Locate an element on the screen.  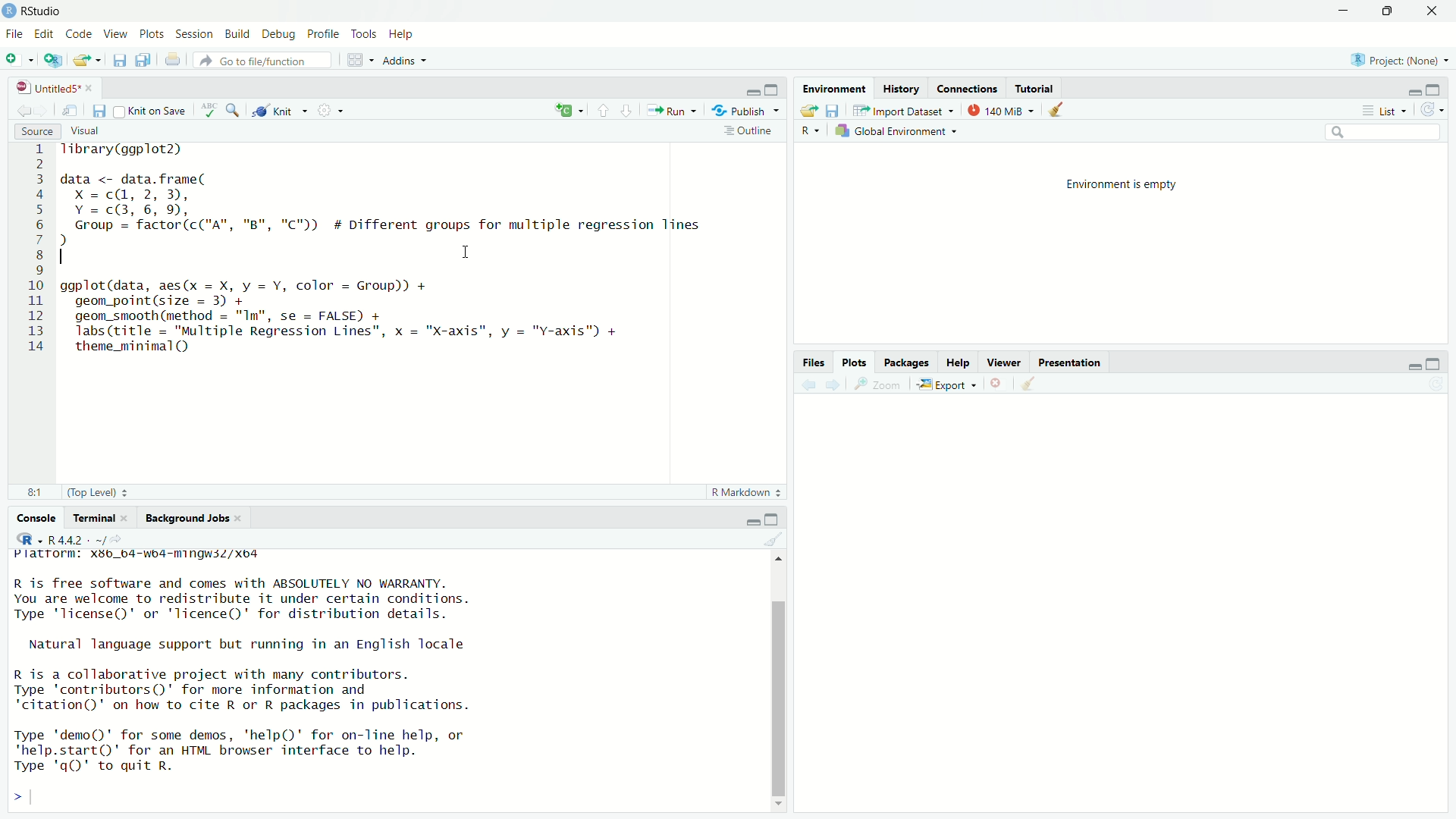
zoom is located at coordinates (877, 387).